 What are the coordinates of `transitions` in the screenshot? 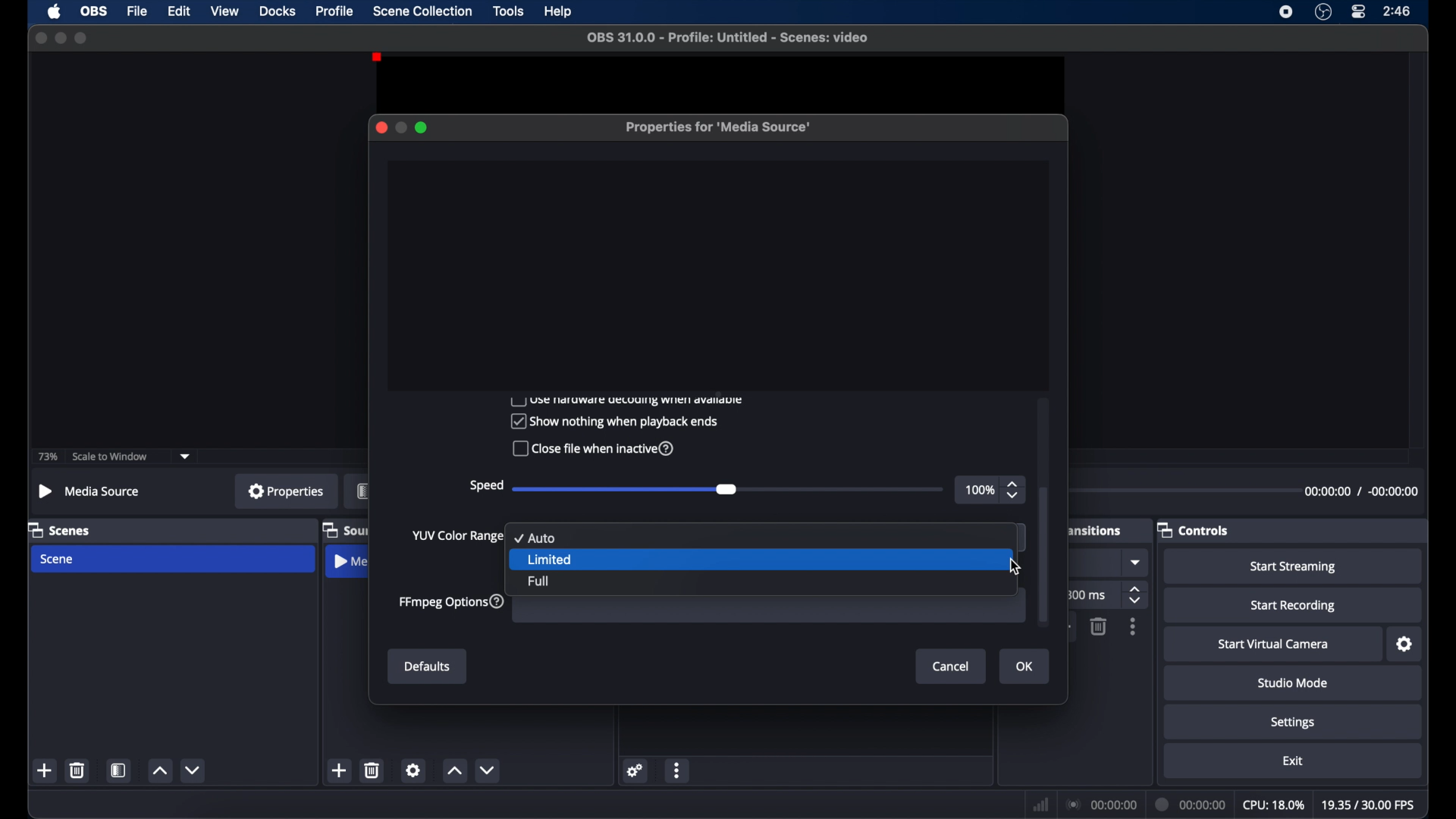 It's located at (1094, 531).